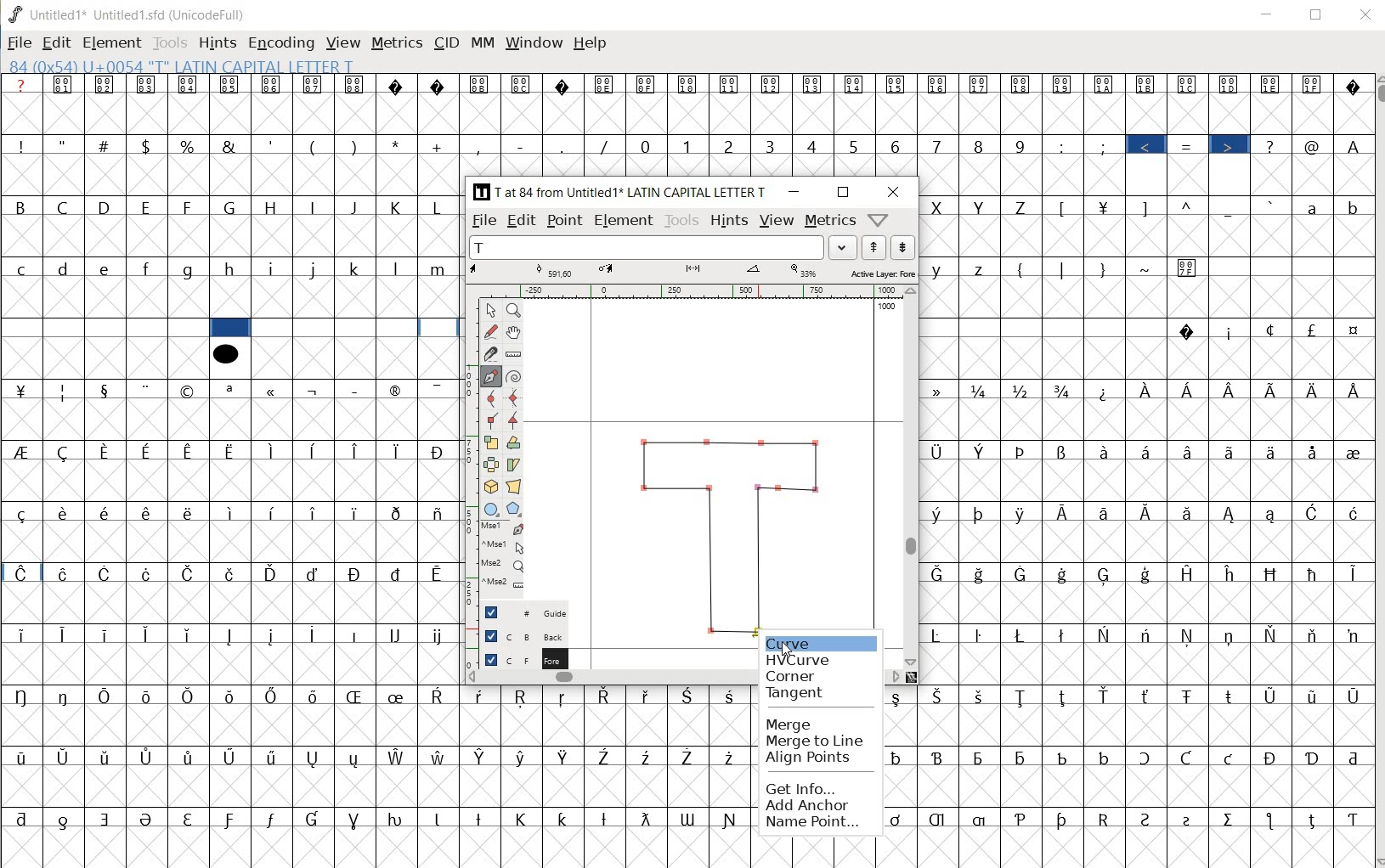 This screenshot has width=1385, height=868. What do you see at coordinates (357, 635) in the screenshot?
I see `Symbol` at bounding box center [357, 635].